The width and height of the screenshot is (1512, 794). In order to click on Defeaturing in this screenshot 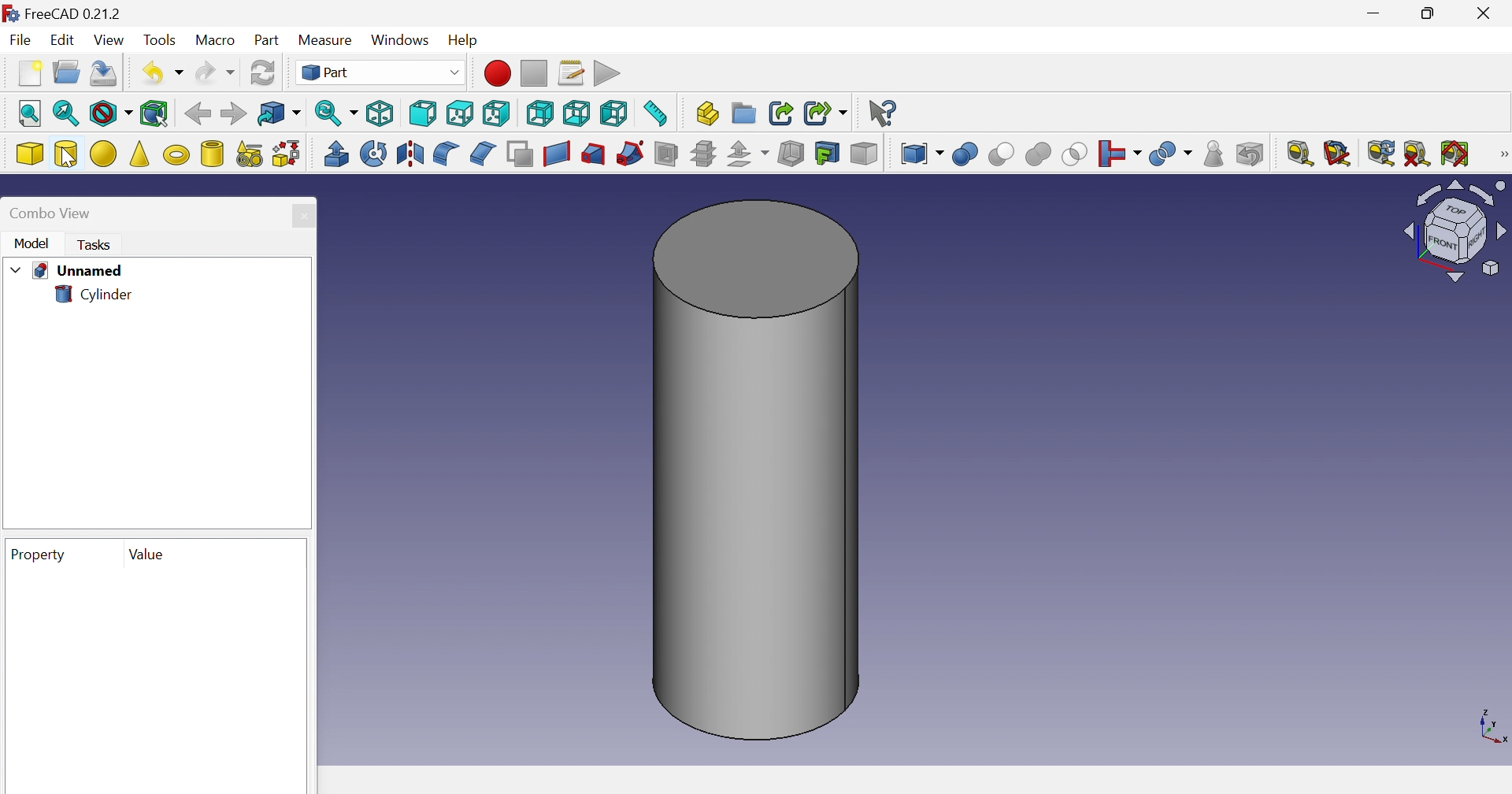, I will do `click(1249, 154)`.